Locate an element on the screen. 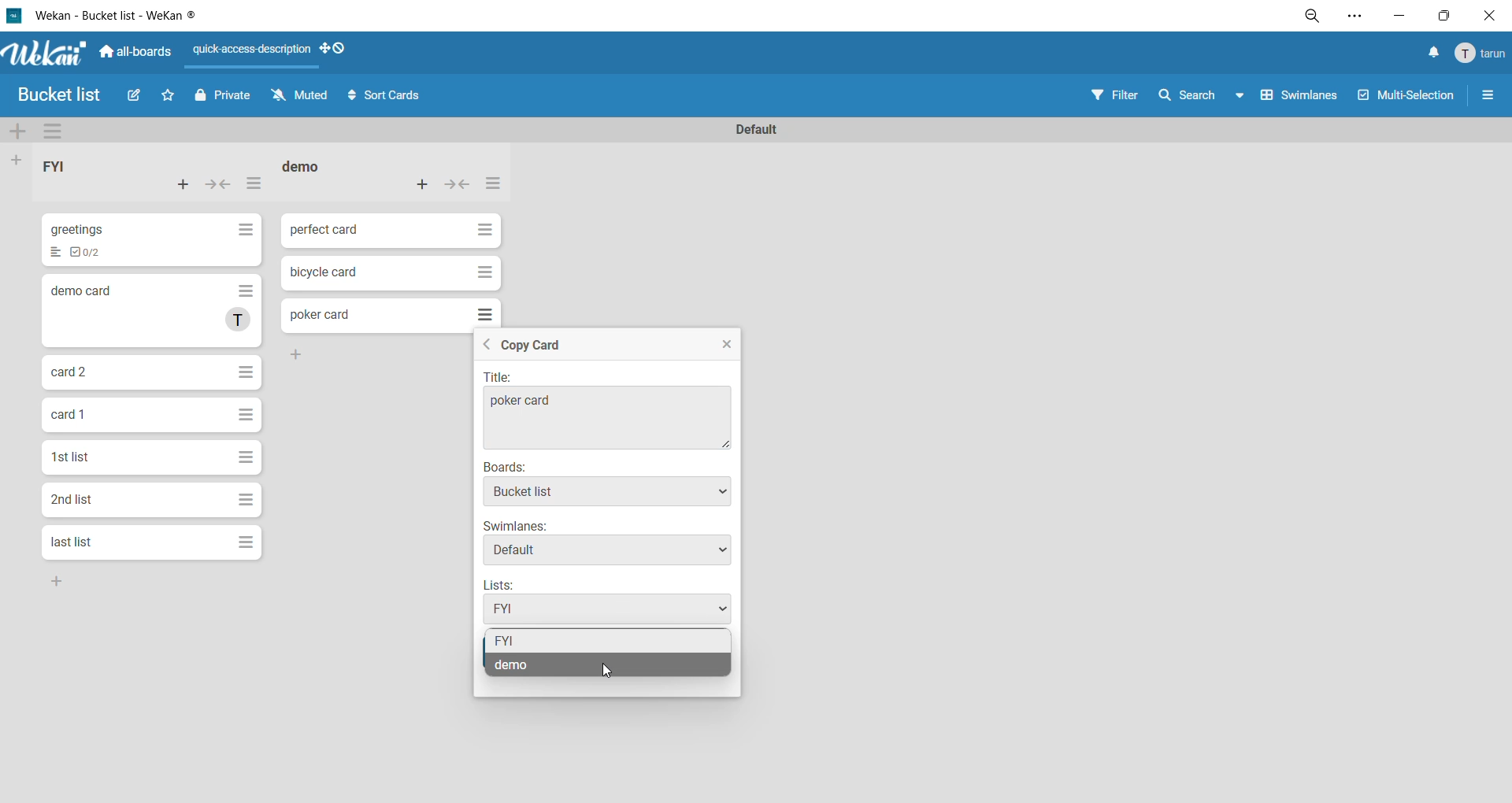 Image resolution: width=1512 pixels, height=803 pixels. swimlane title is located at coordinates (757, 128).